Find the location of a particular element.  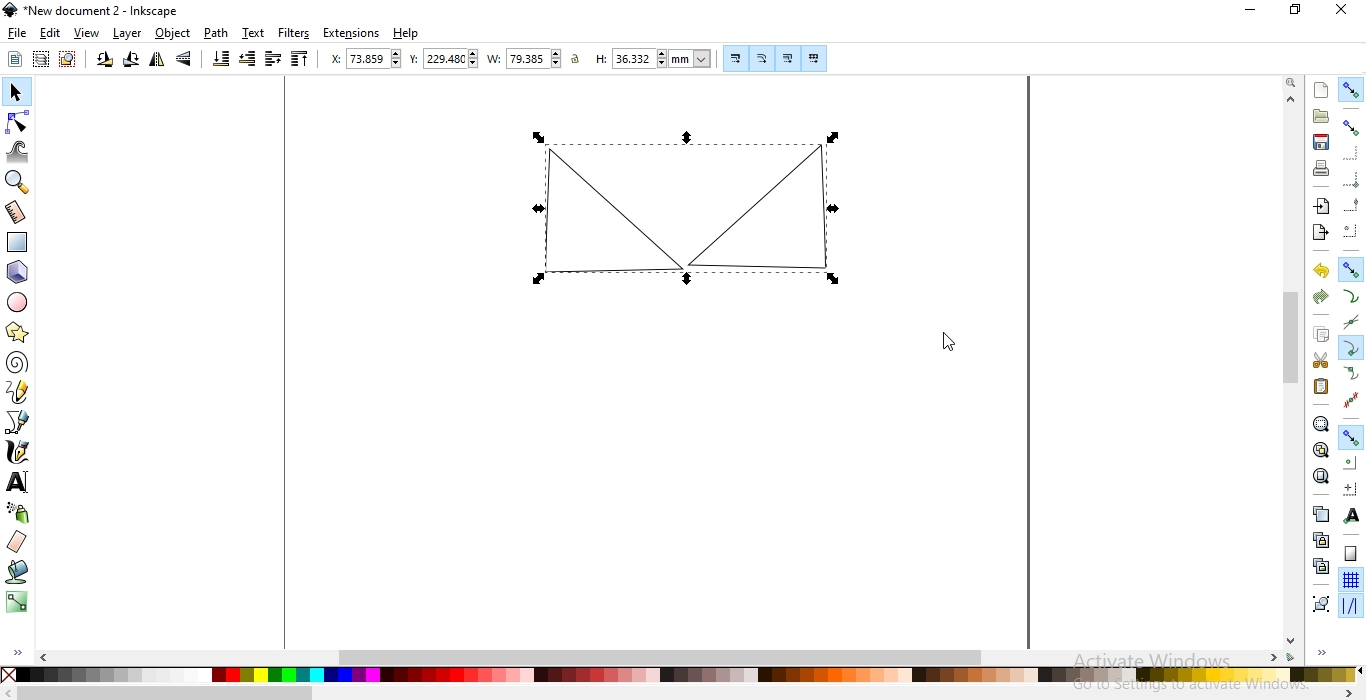

snap to grids is located at coordinates (1351, 580).